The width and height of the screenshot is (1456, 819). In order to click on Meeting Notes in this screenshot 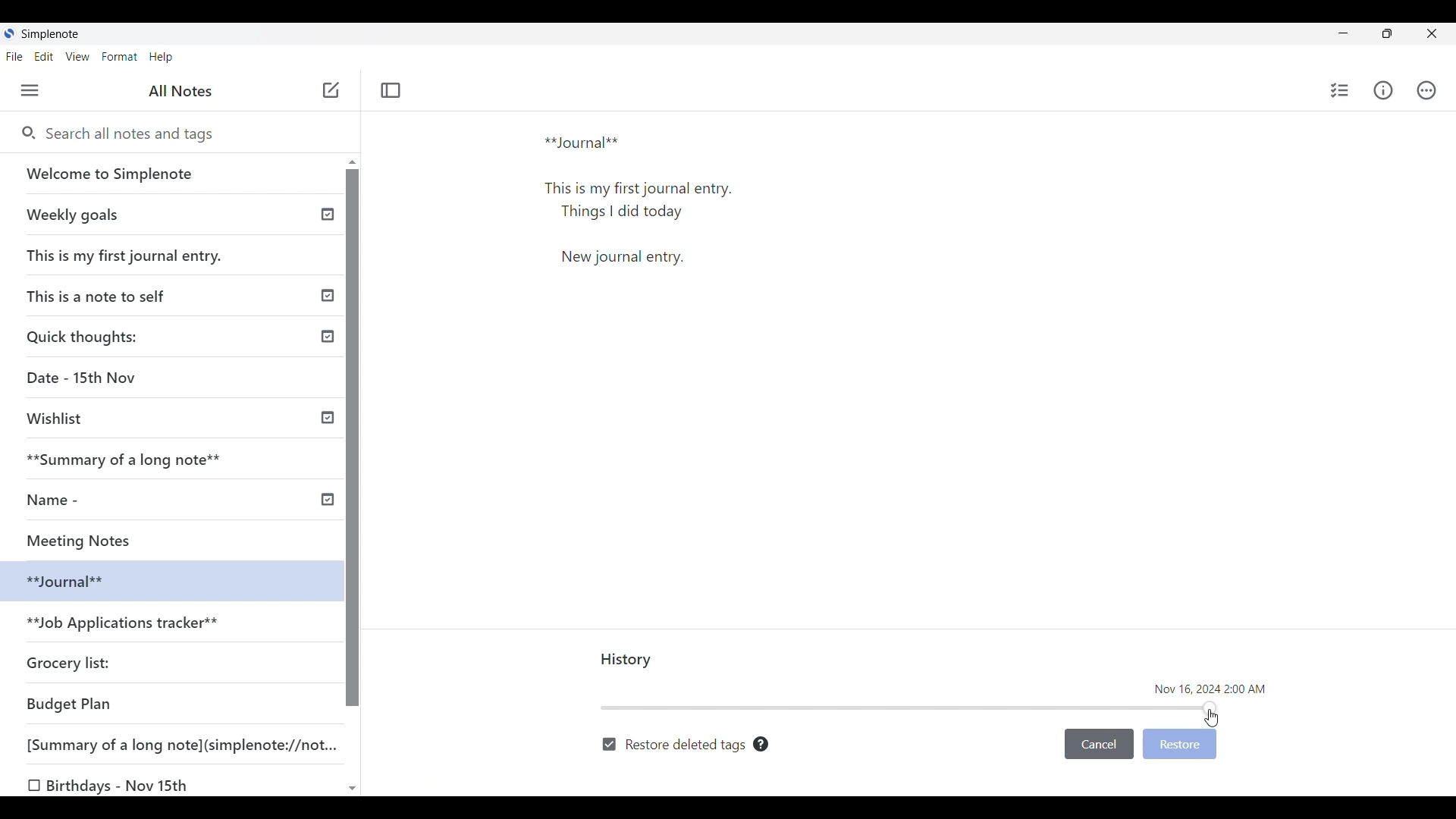, I will do `click(96, 538)`.